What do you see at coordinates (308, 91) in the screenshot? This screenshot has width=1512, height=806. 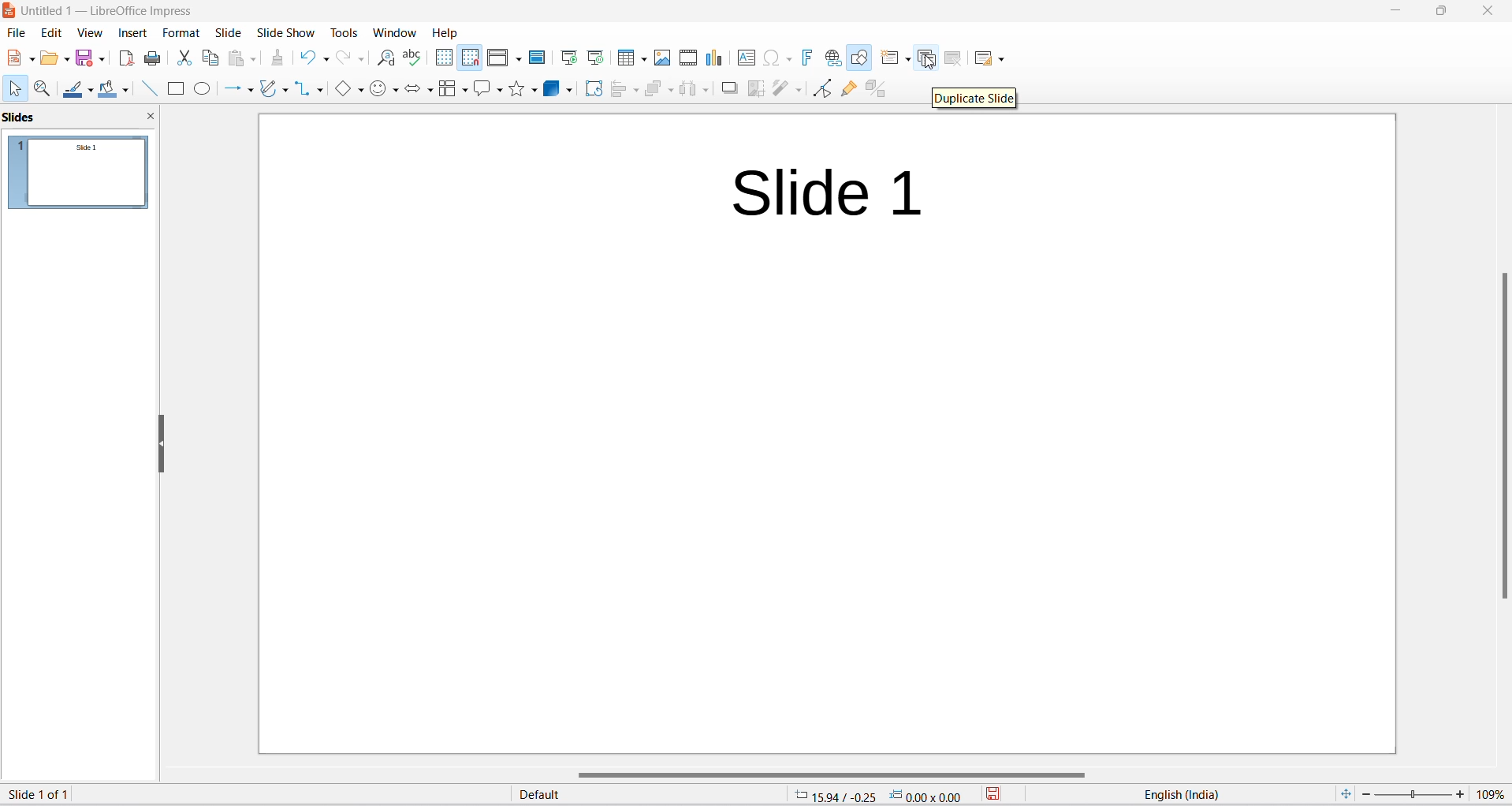 I see `Connectors` at bounding box center [308, 91].